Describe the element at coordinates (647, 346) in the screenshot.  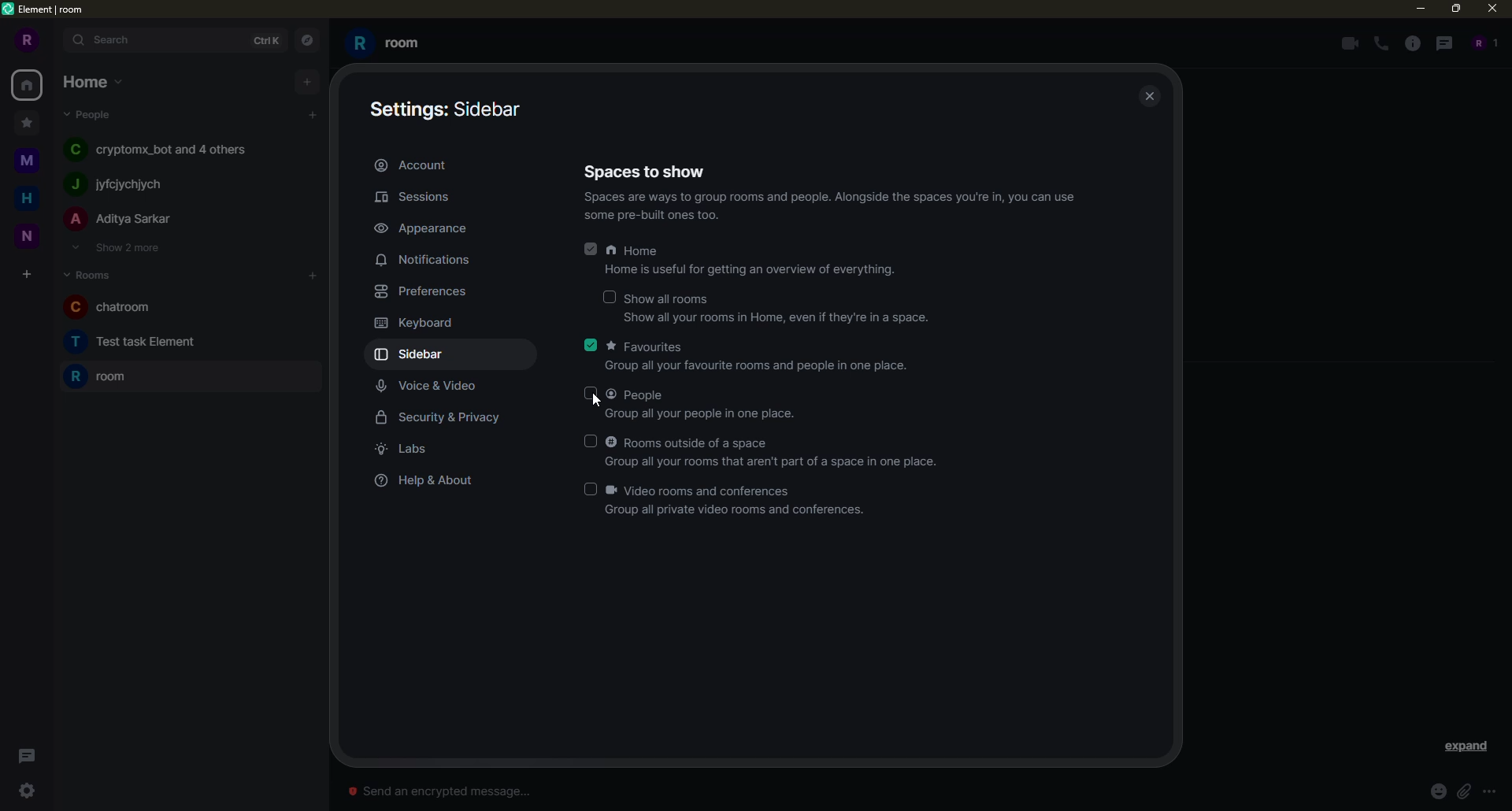
I see `favorites` at that location.